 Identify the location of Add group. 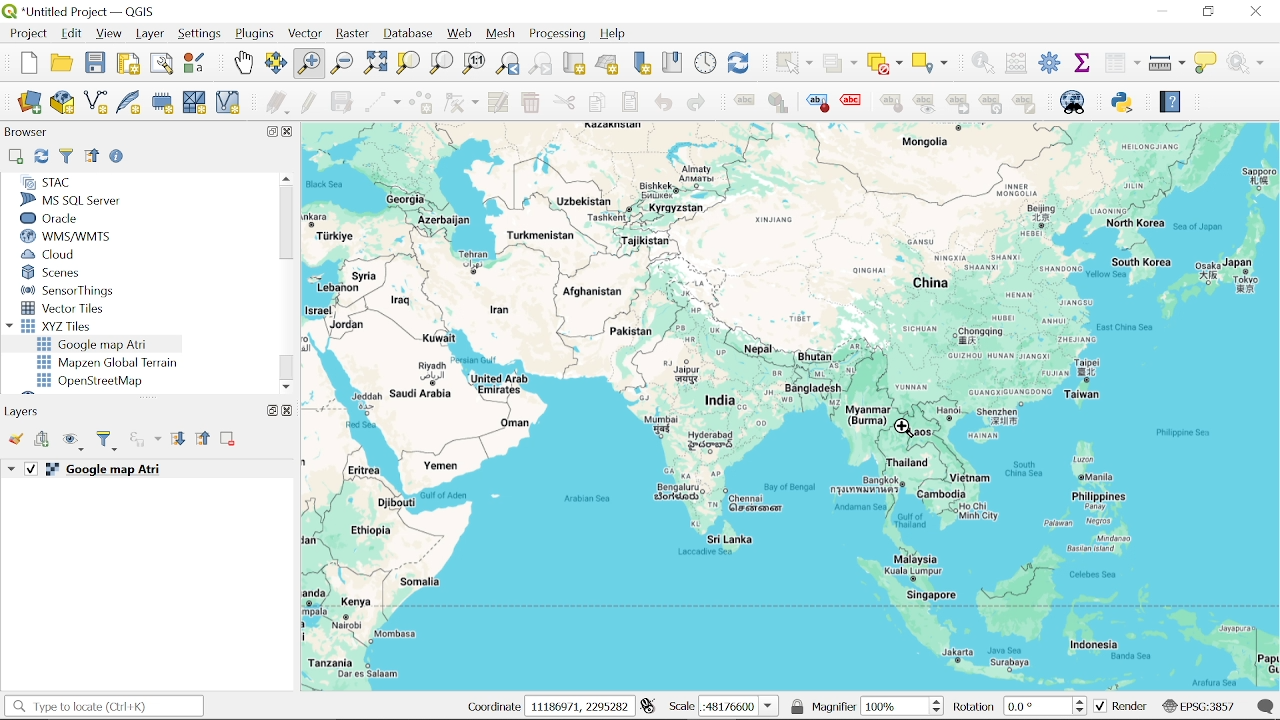
(43, 440).